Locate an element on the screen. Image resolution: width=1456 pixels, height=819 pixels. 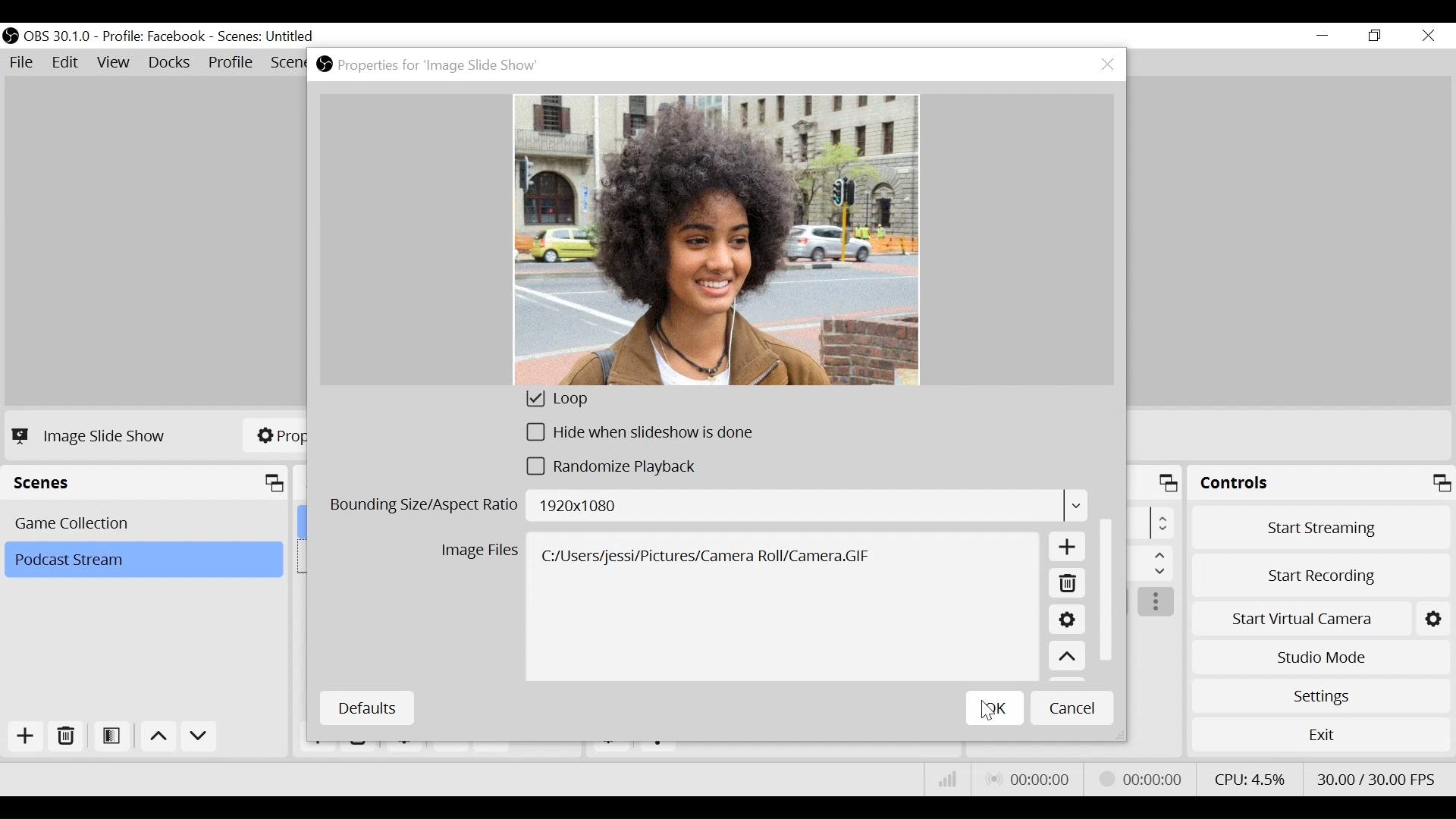
Frame Per Second is located at coordinates (1376, 776).